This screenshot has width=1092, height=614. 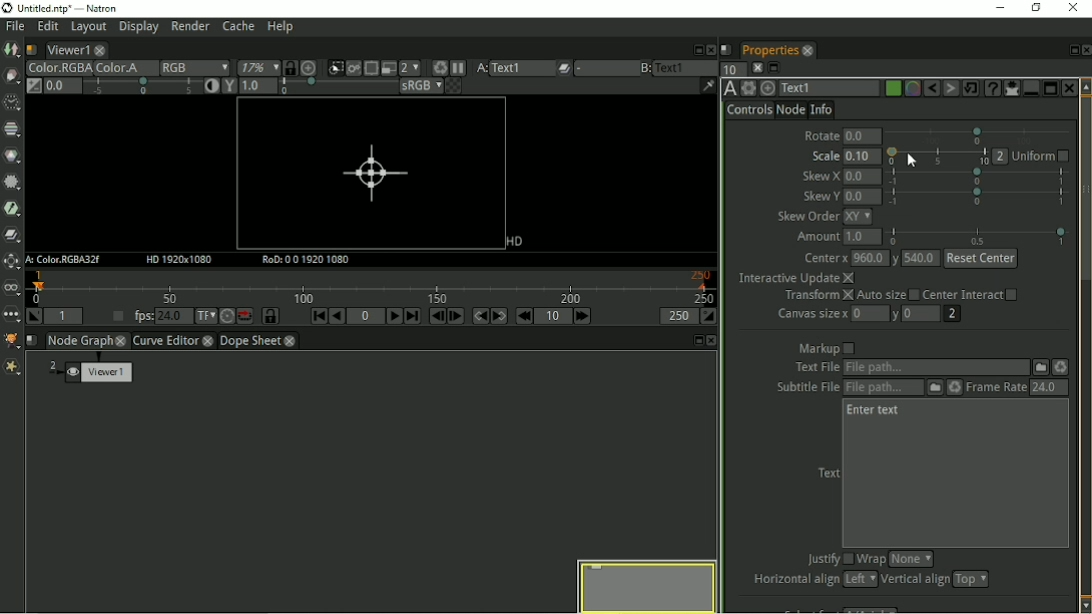 What do you see at coordinates (13, 183) in the screenshot?
I see `Filter` at bounding box center [13, 183].